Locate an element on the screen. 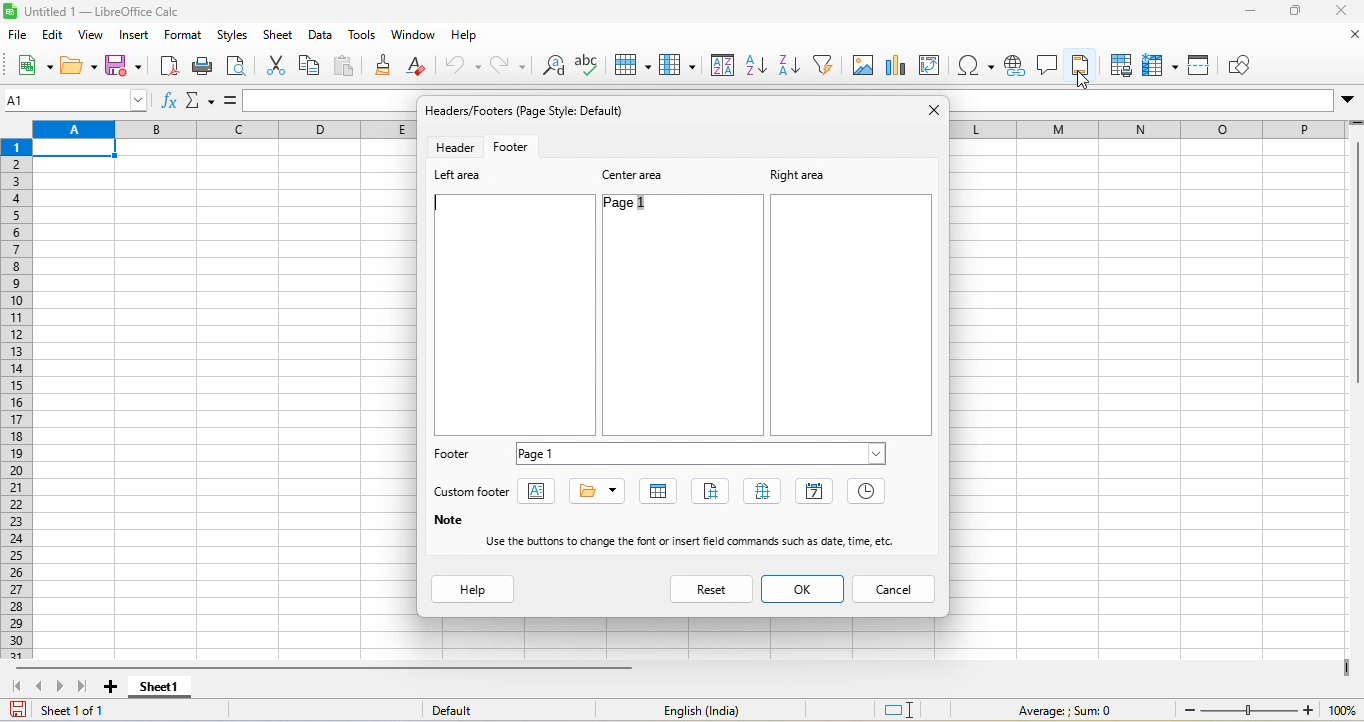 The image size is (1364, 722). standard selection is located at coordinates (906, 711).